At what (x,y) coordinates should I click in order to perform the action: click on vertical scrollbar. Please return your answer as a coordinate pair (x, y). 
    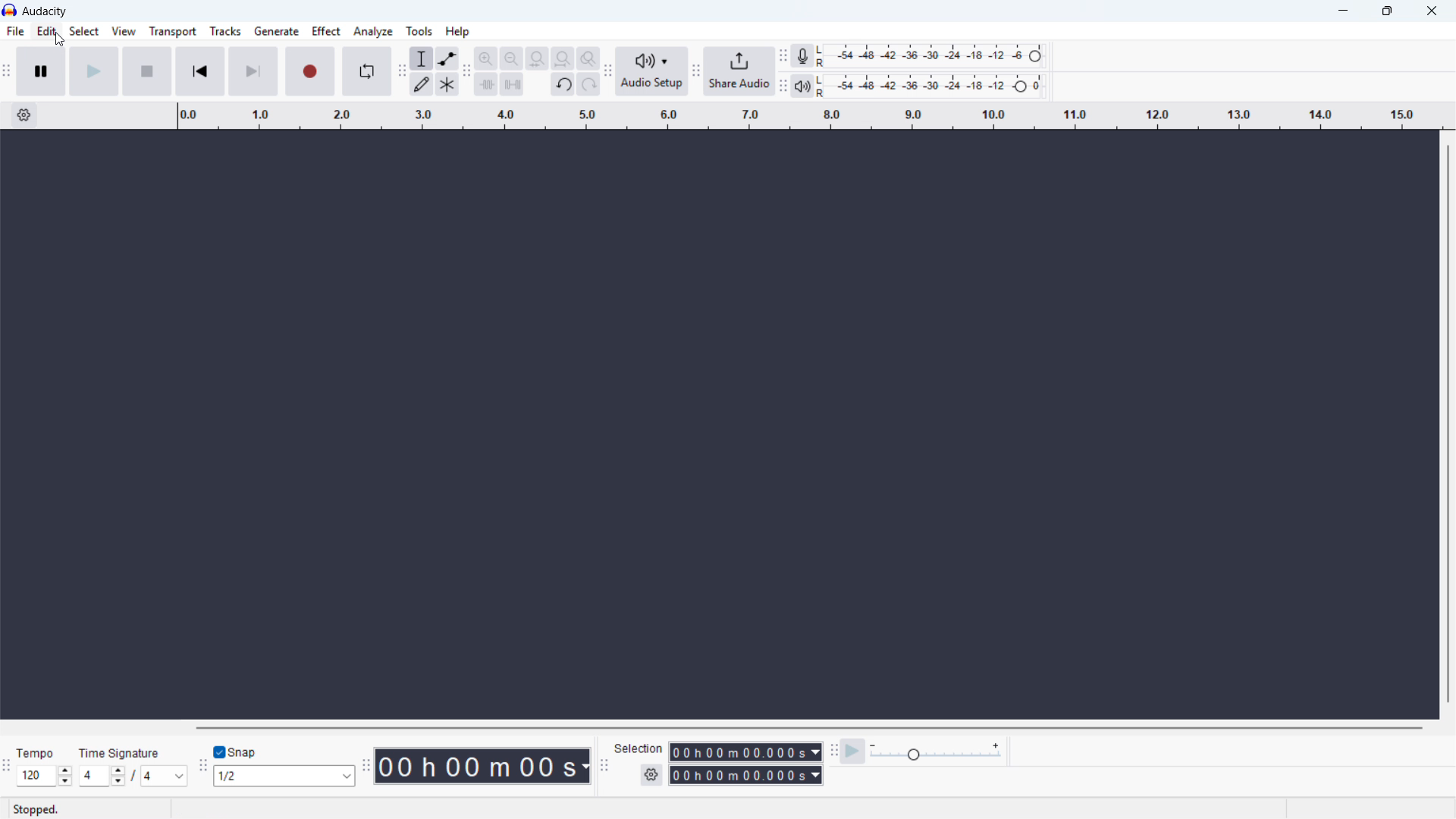
    Looking at the image, I should click on (1447, 425).